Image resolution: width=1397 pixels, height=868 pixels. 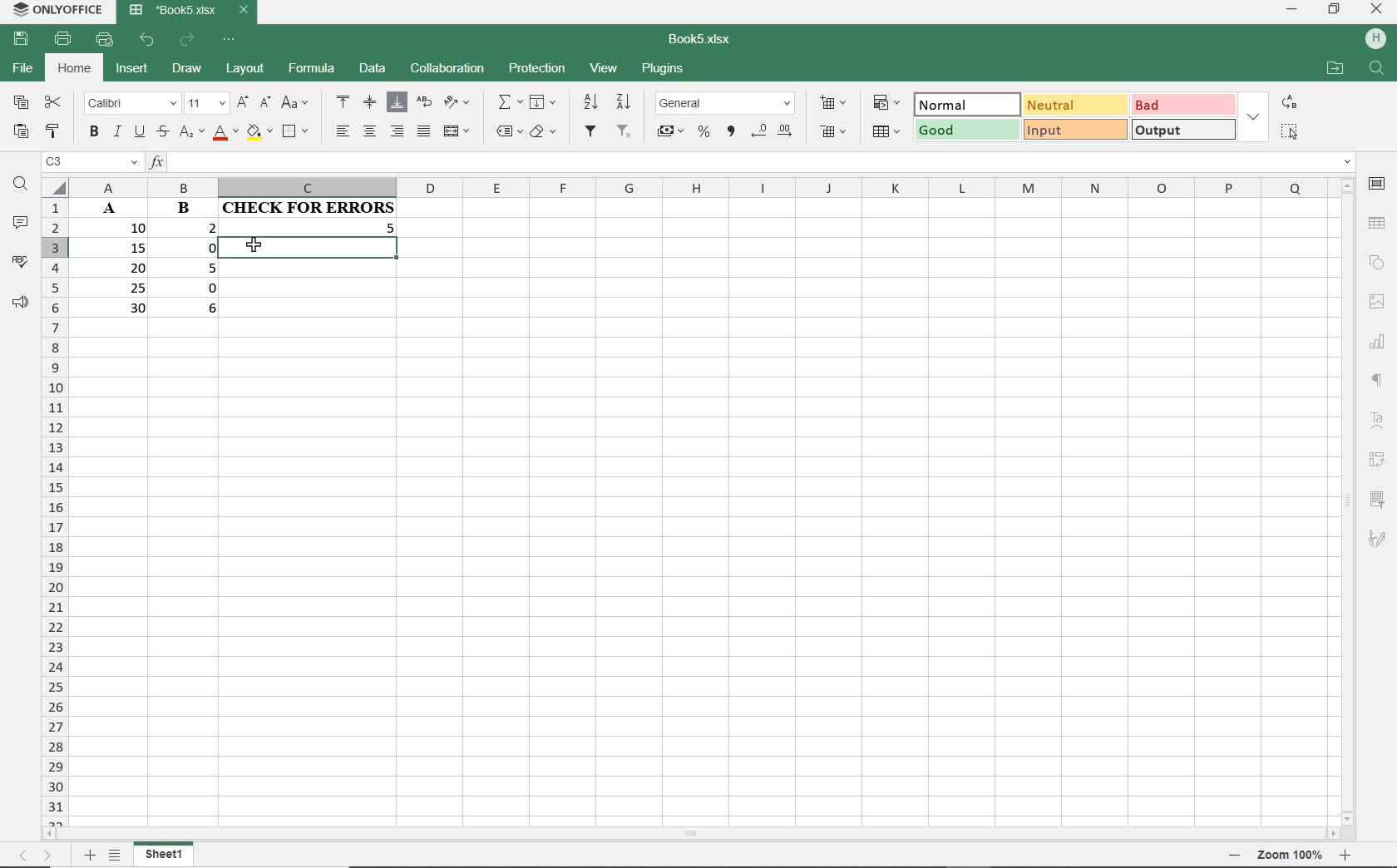 What do you see at coordinates (397, 132) in the screenshot?
I see `ALIGN RIGHT` at bounding box center [397, 132].